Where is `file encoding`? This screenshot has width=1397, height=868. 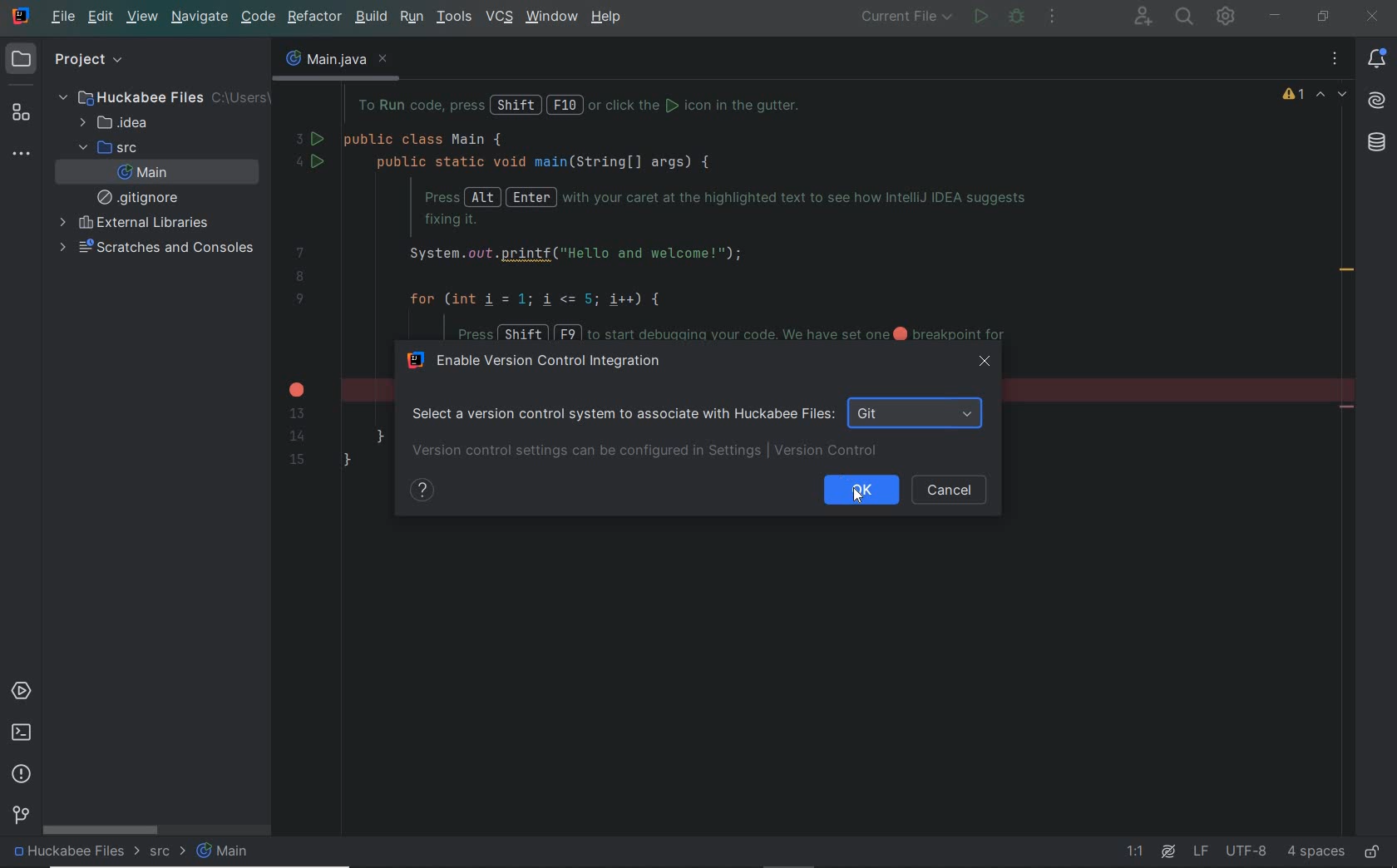
file encoding is located at coordinates (1246, 851).